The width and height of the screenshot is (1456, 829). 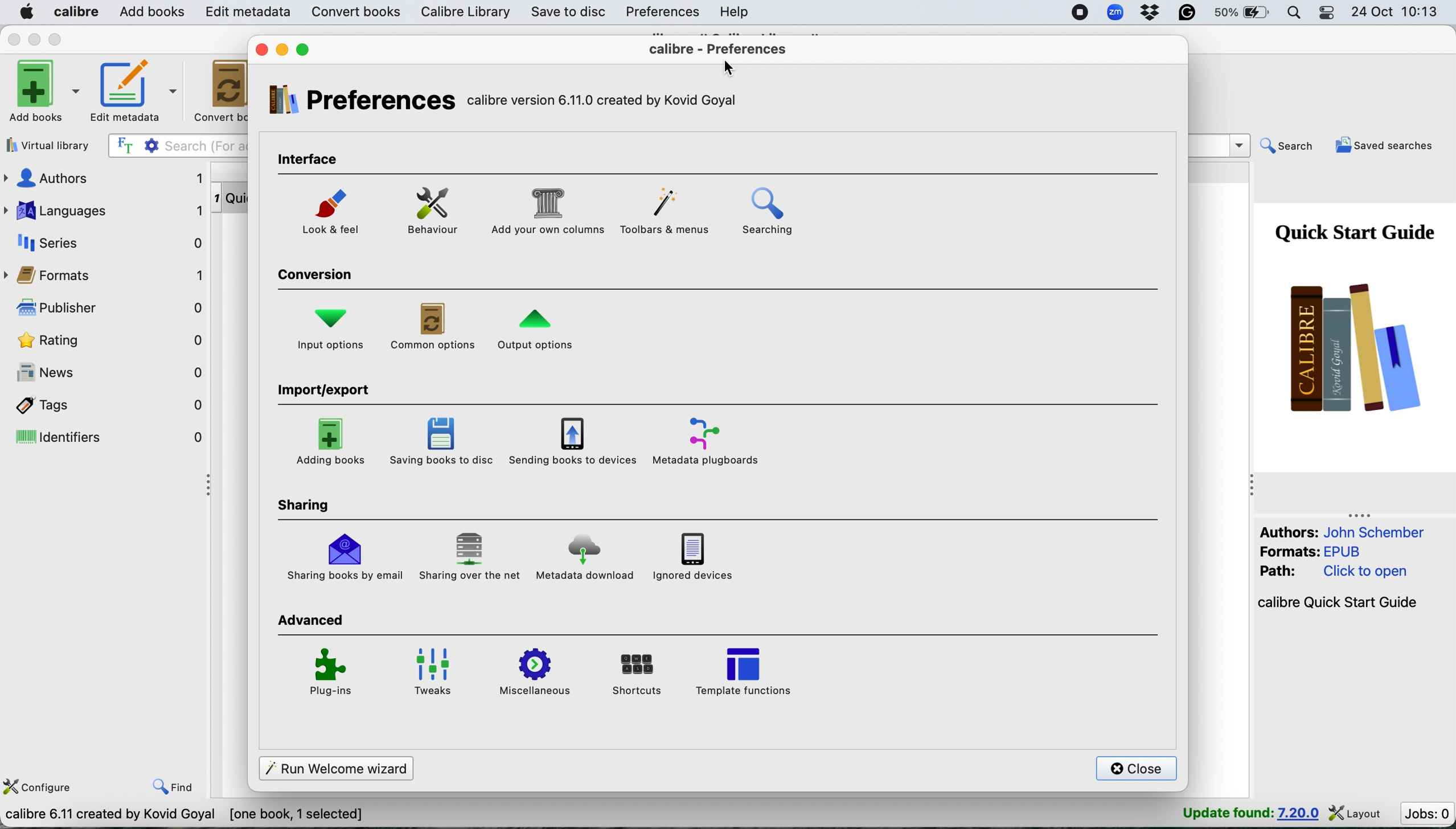 What do you see at coordinates (107, 243) in the screenshot?
I see `series` at bounding box center [107, 243].